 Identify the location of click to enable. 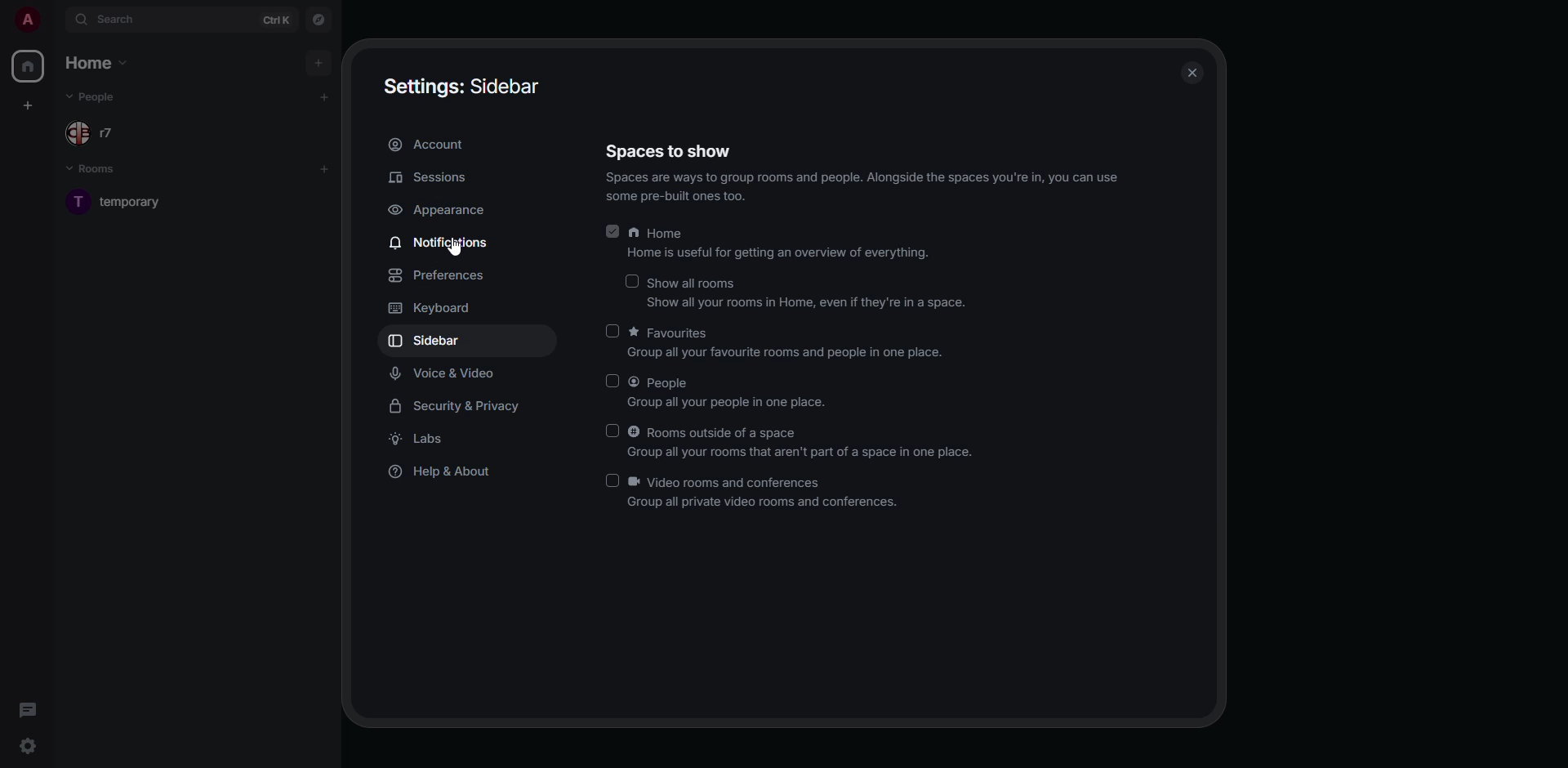
(615, 481).